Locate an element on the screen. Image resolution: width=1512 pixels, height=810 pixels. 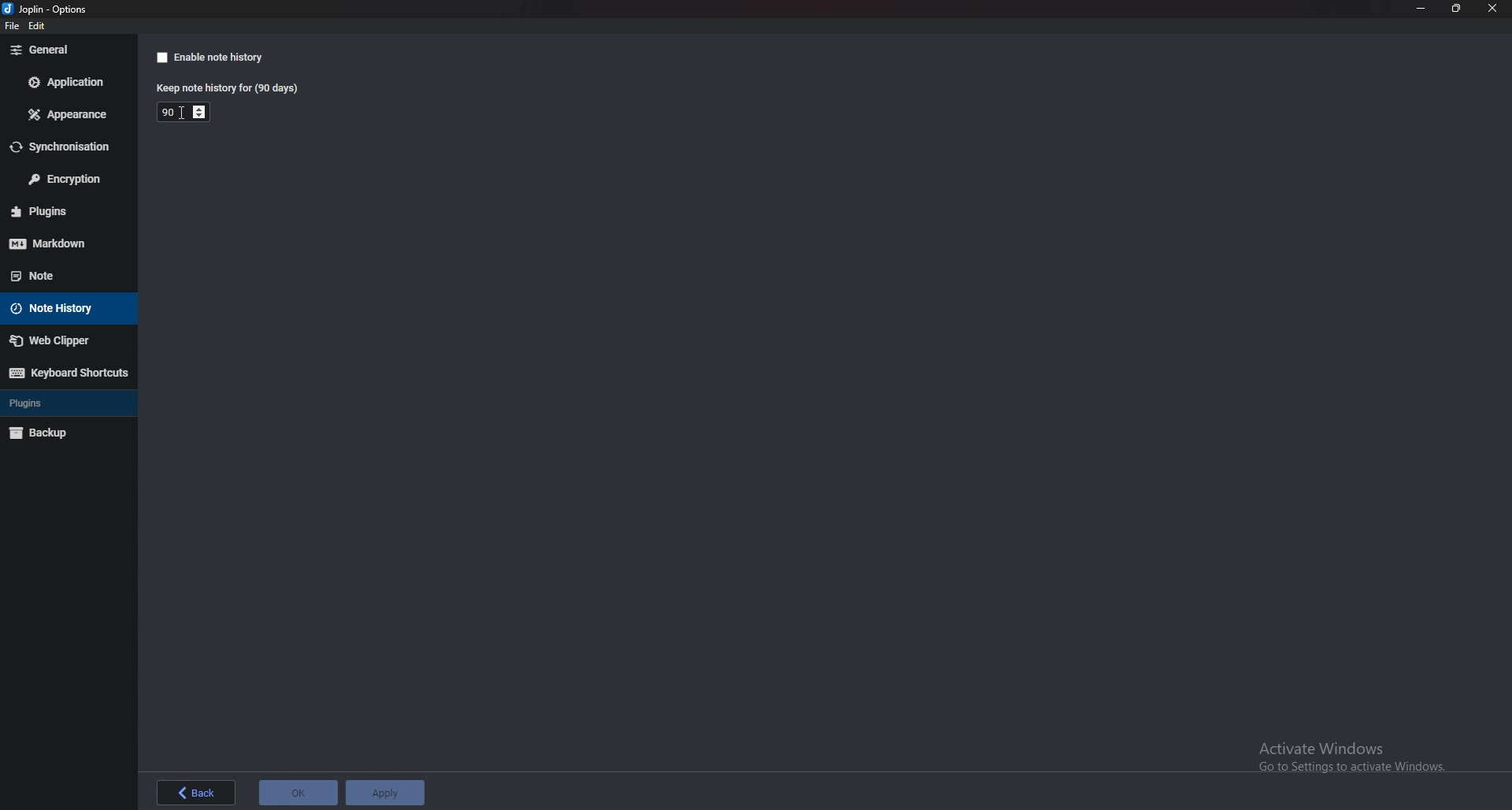
Enable note history is located at coordinates (208, 57).